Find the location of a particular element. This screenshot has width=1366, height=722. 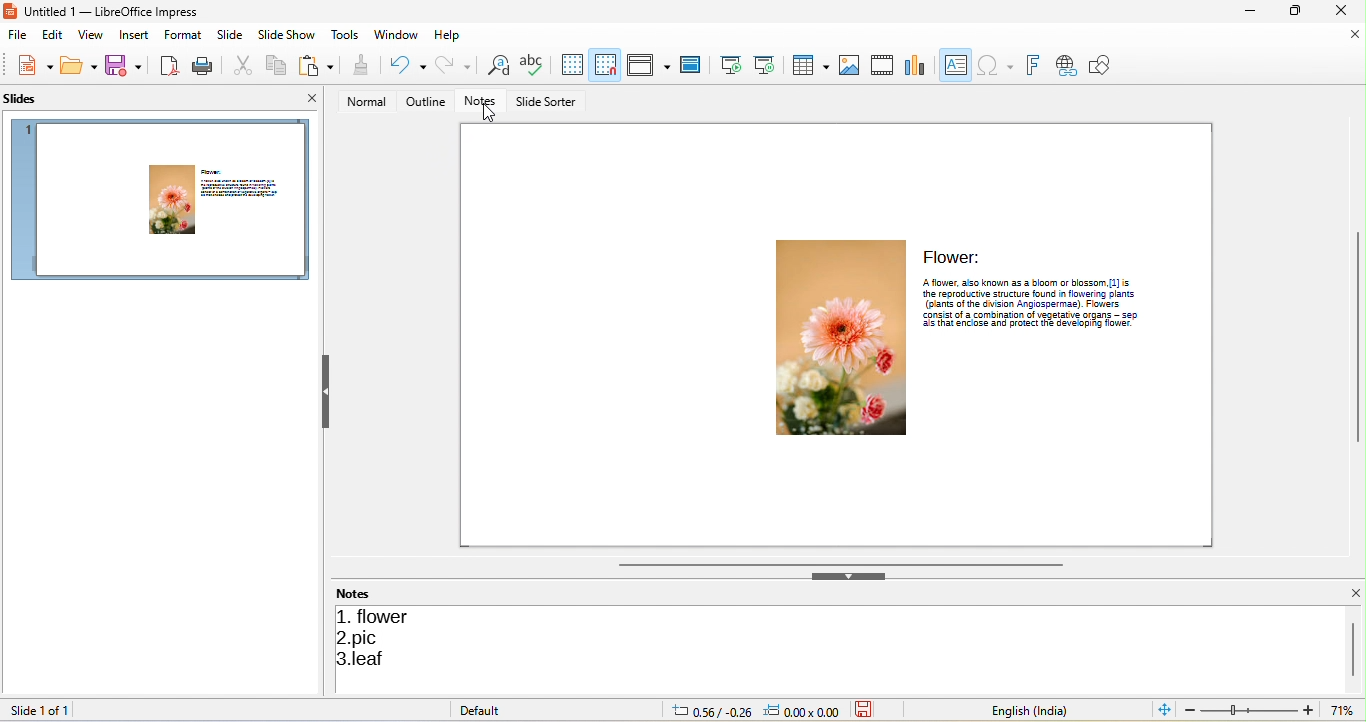

CONES: Of Aa cOMDINALON Of vegetative Organs —- 380 is located at coordinates (1028, 314).